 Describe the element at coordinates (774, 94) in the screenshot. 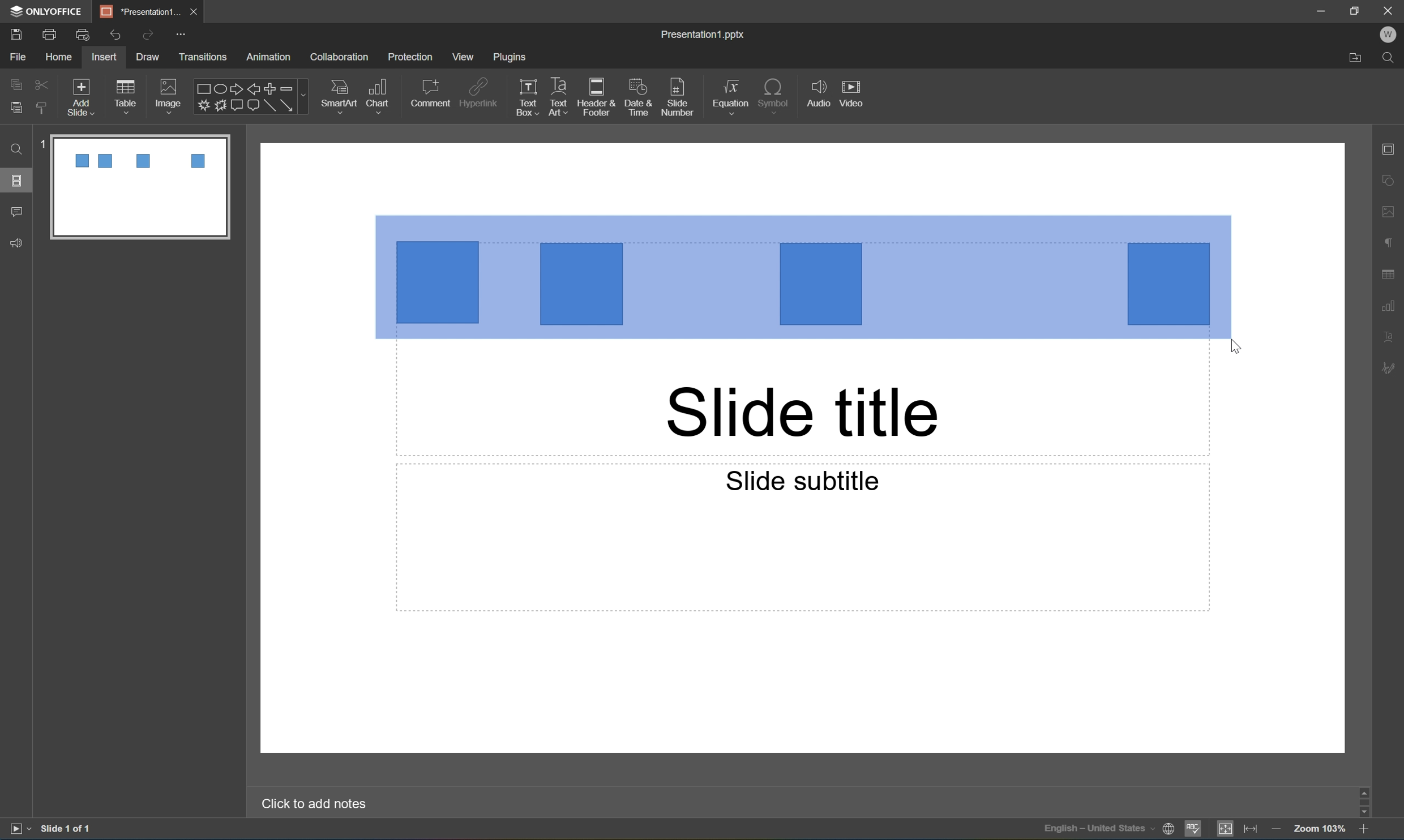

I see `symbol` at that location.